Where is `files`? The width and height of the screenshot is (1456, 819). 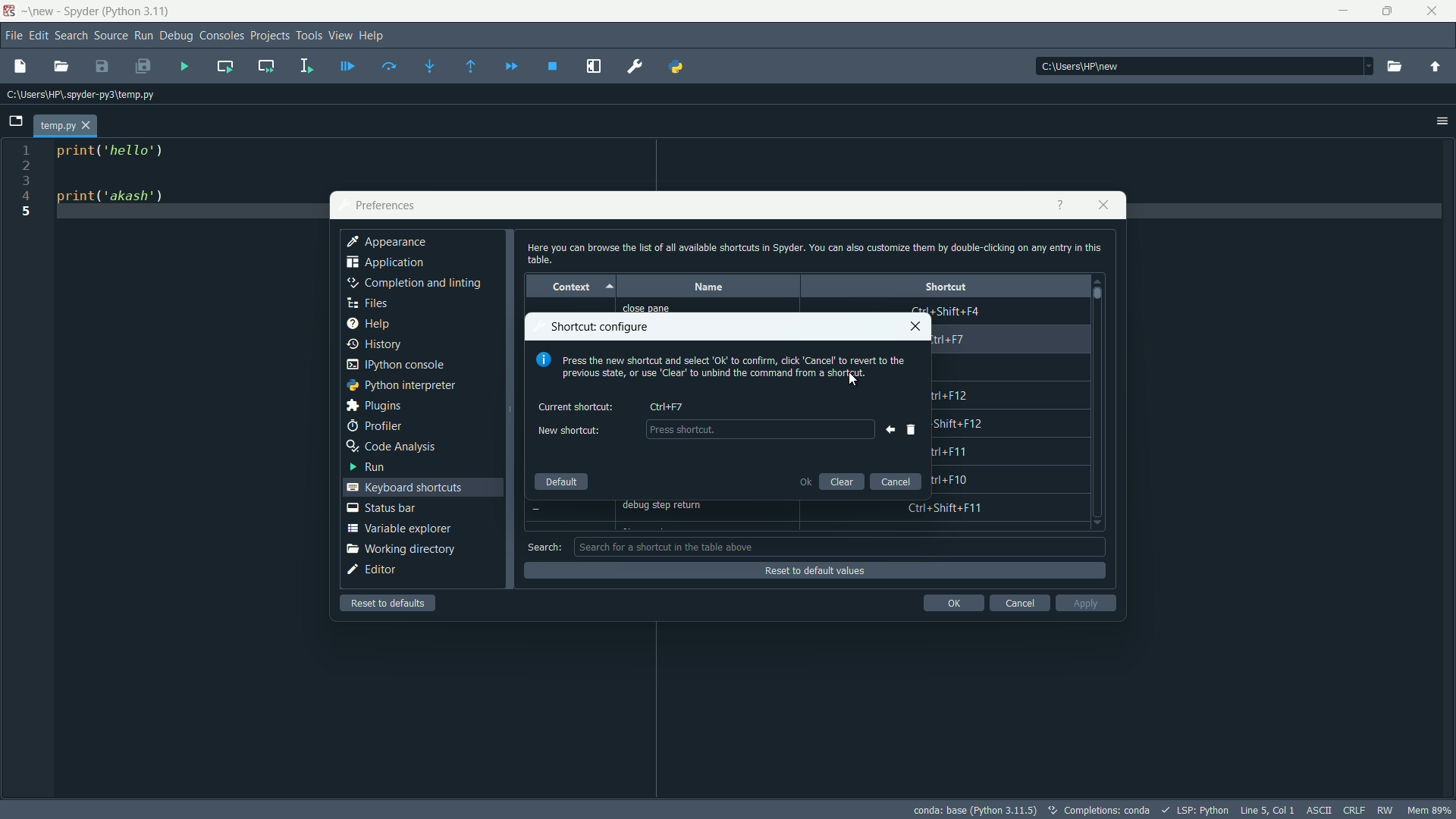 files is located at coordinates (366, 303).